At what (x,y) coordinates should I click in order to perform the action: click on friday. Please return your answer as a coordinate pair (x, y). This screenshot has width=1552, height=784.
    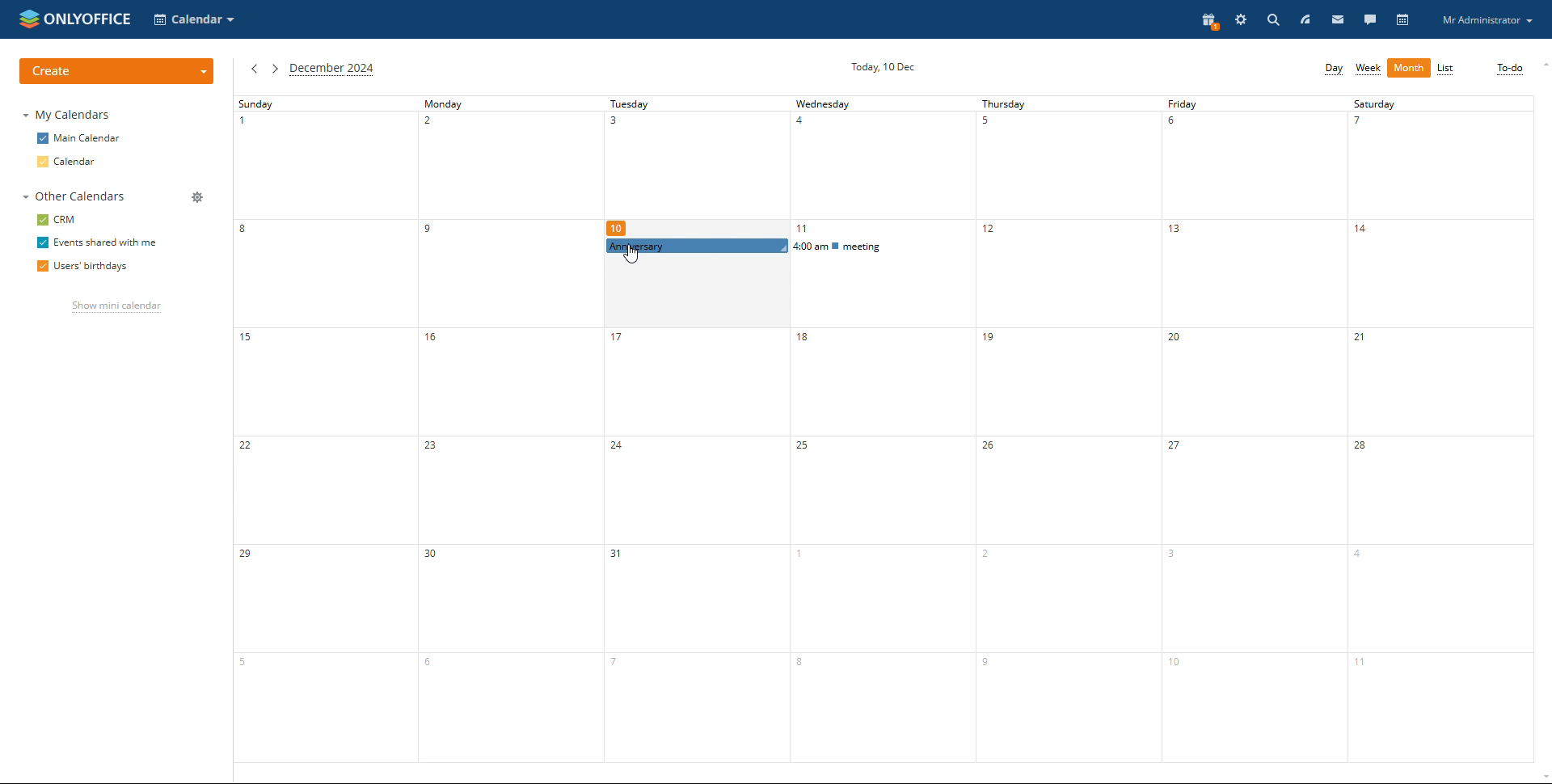
    Looking at the image, I should click on (1254, 429).